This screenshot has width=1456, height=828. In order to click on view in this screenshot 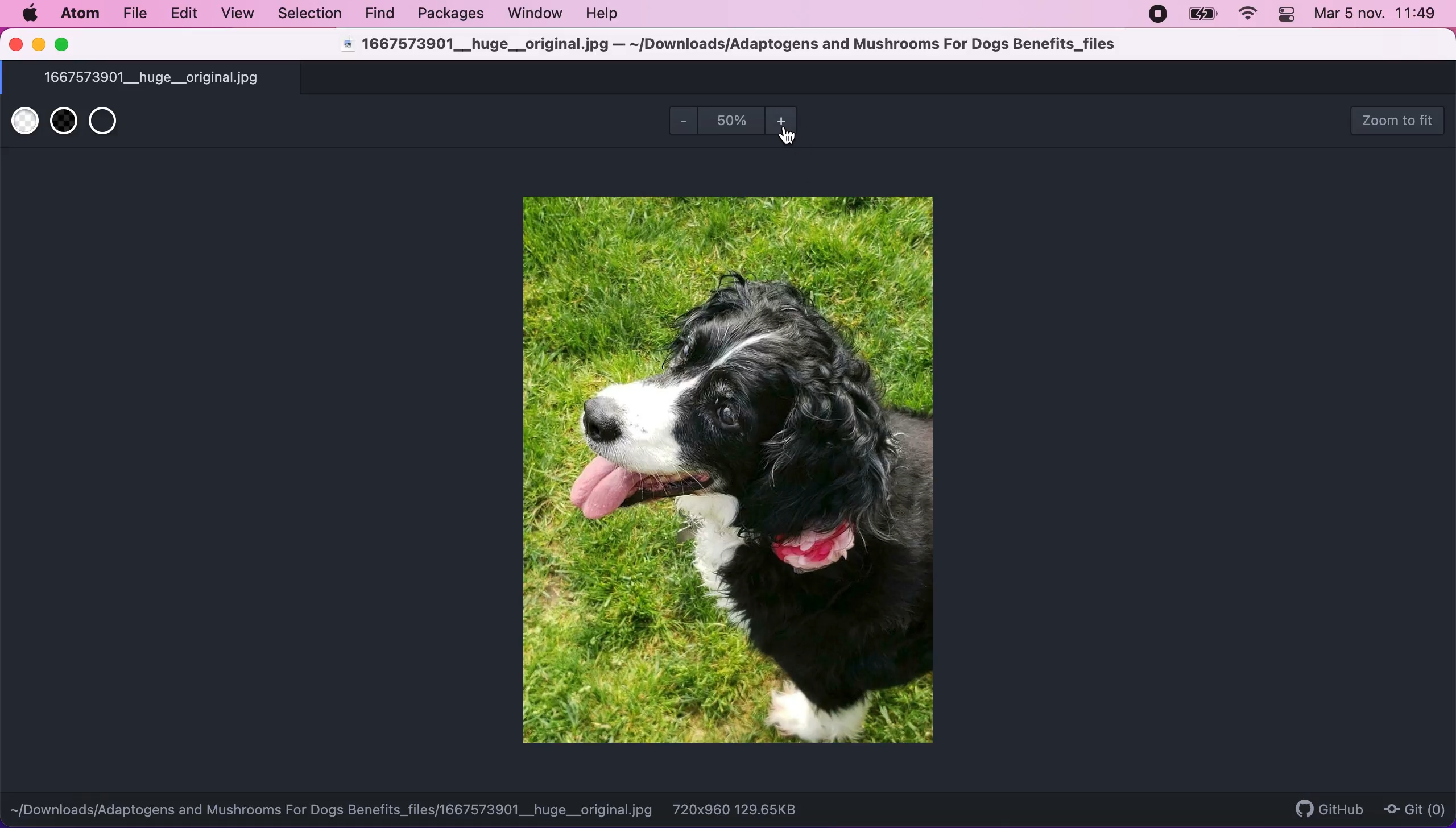, I will do `click(239, 13)`.